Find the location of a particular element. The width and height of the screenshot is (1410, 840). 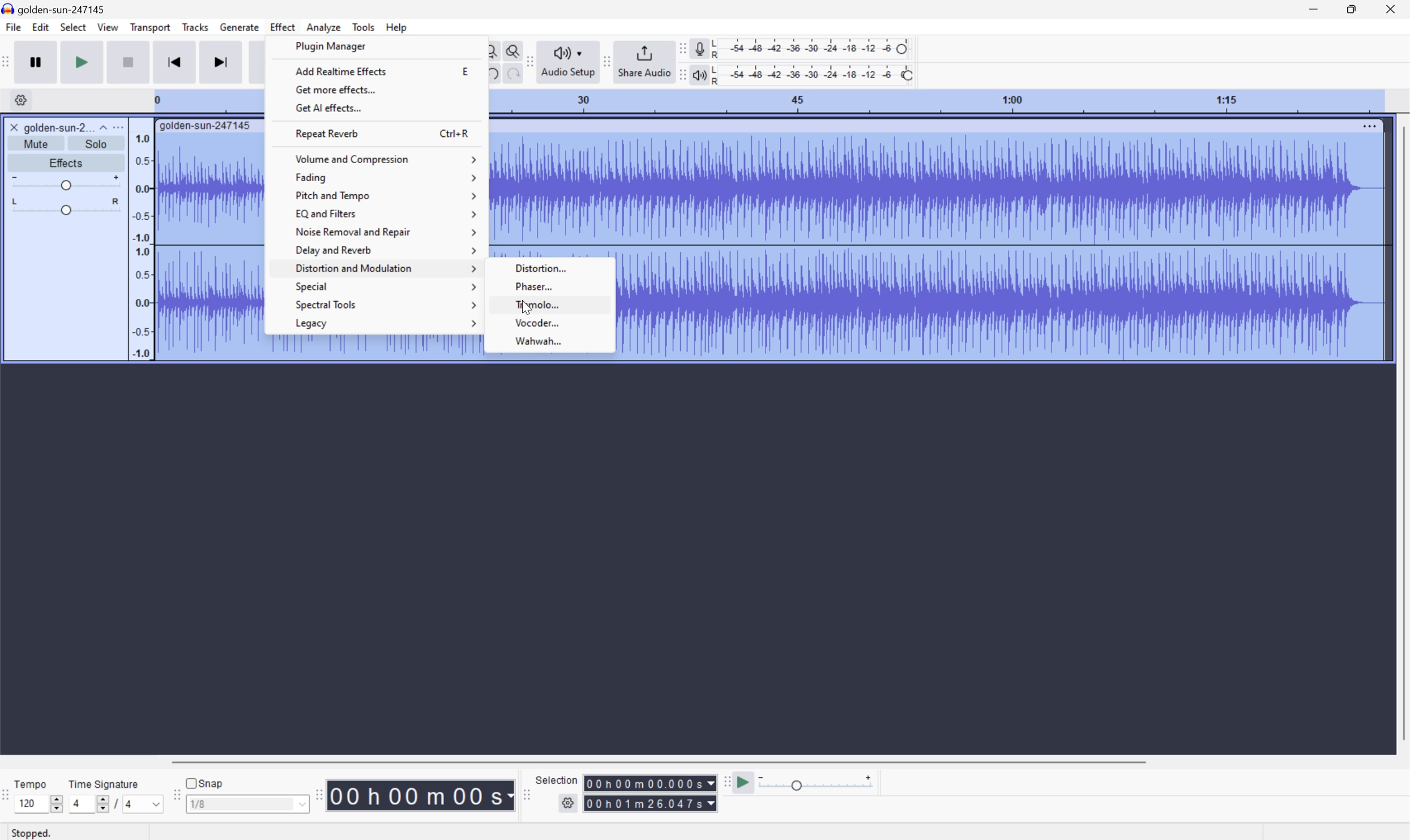

golden-sun-247145 is located at coordinates (57, 8).